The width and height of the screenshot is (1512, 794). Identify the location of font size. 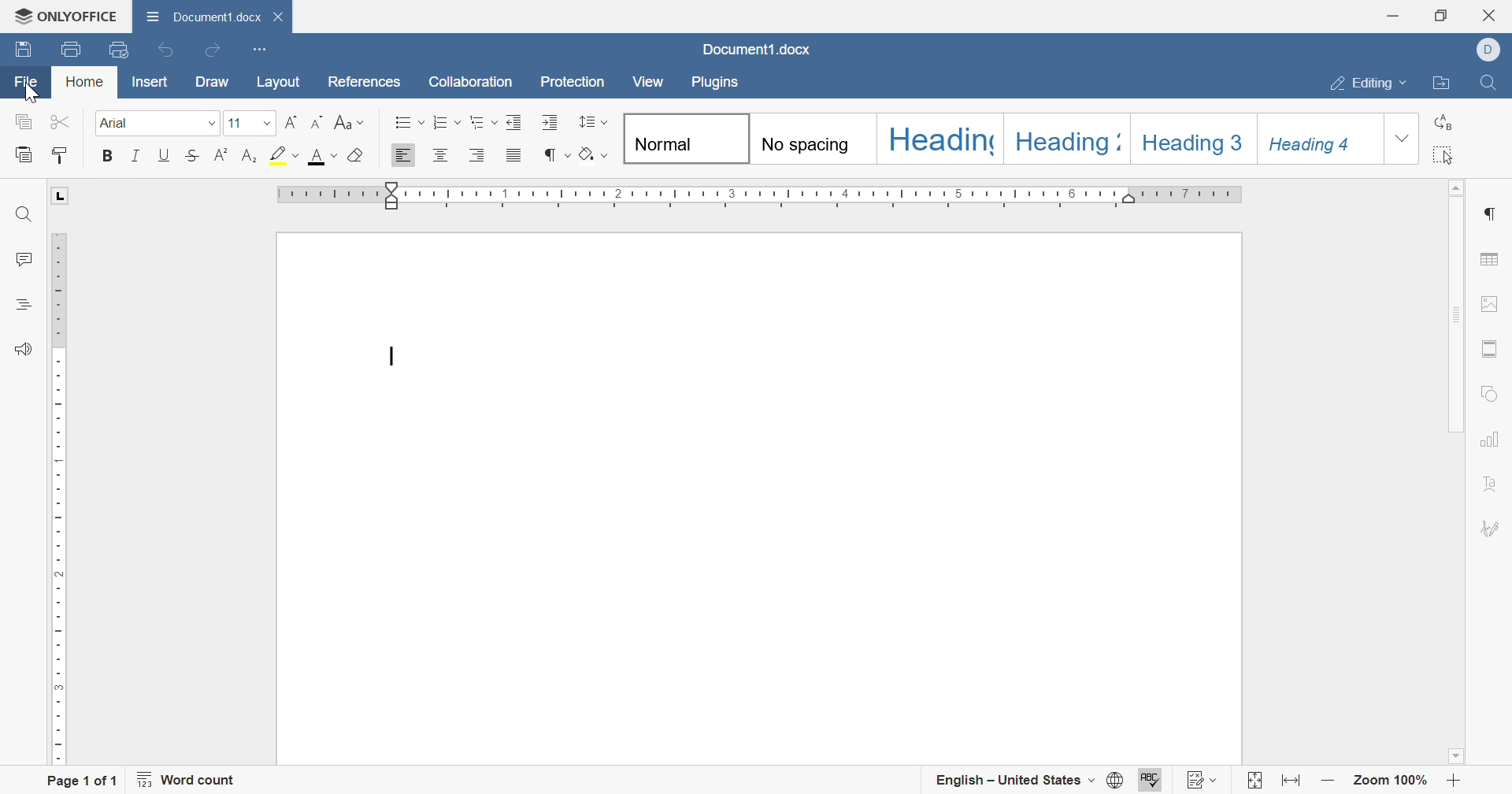
(252, 123).